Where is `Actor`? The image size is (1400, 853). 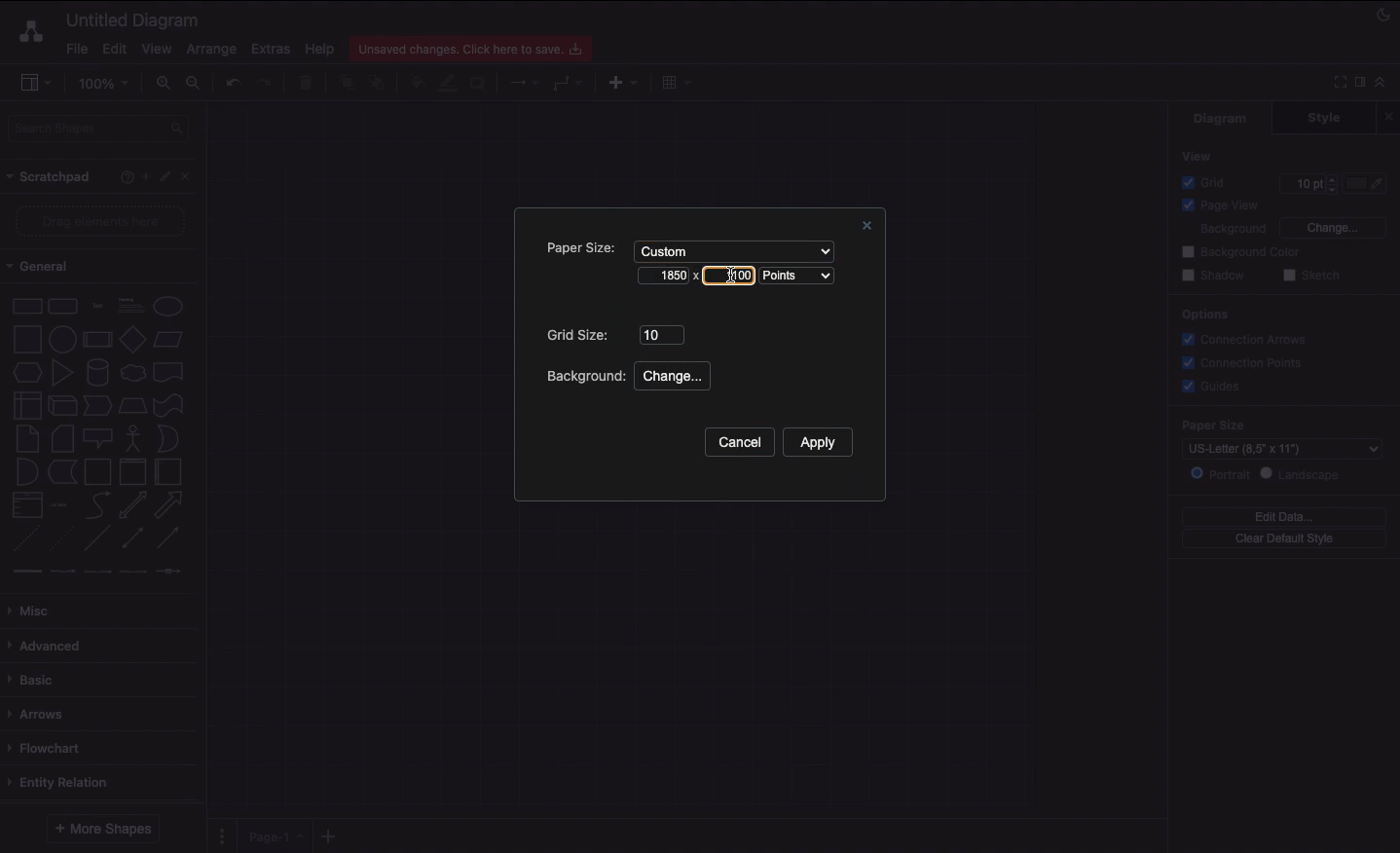
Actor is located at coordinates (133, 436).